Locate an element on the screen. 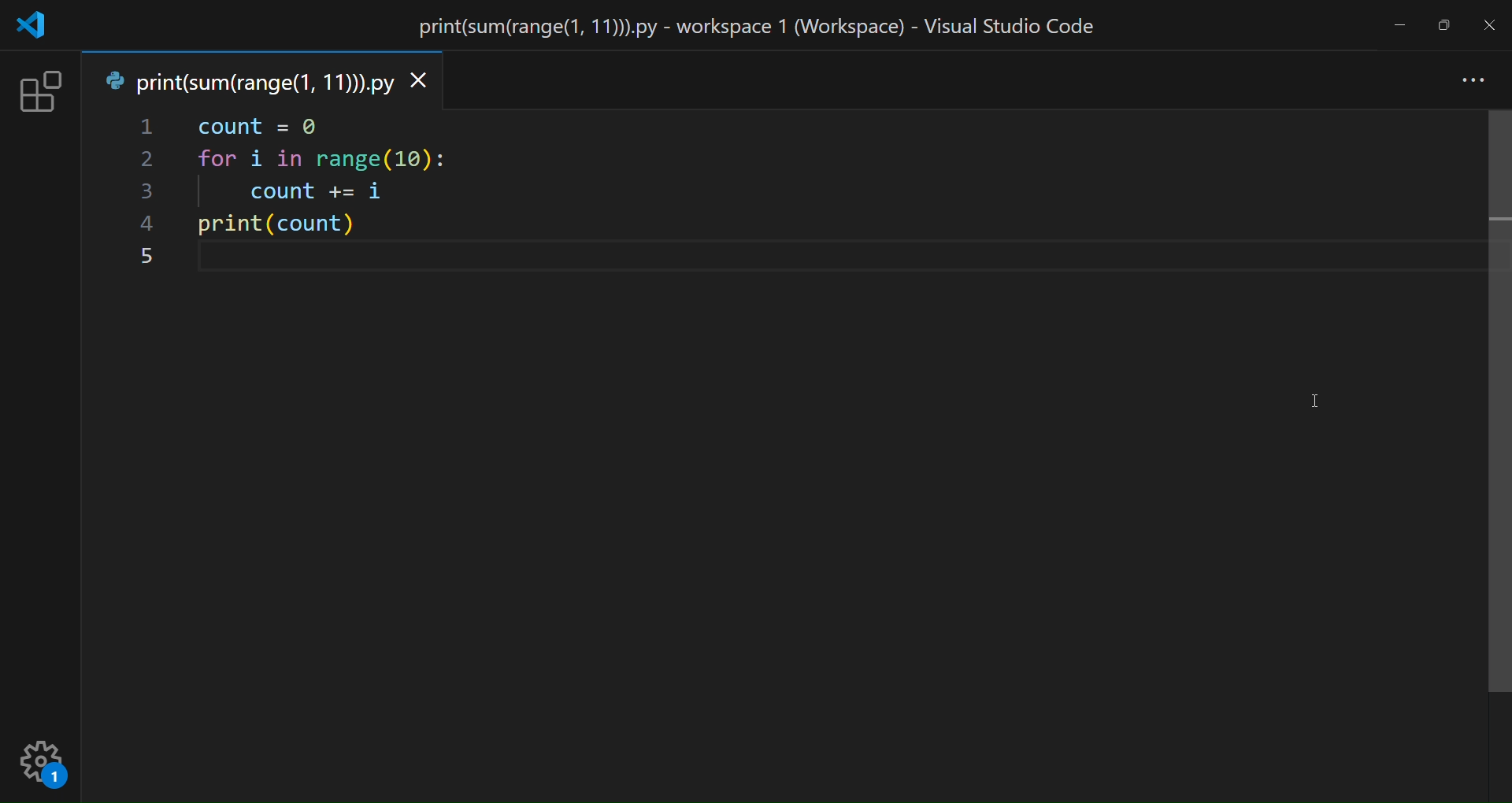 The image size is (1512, 803). minimize is located at coordinates (1399, 29).